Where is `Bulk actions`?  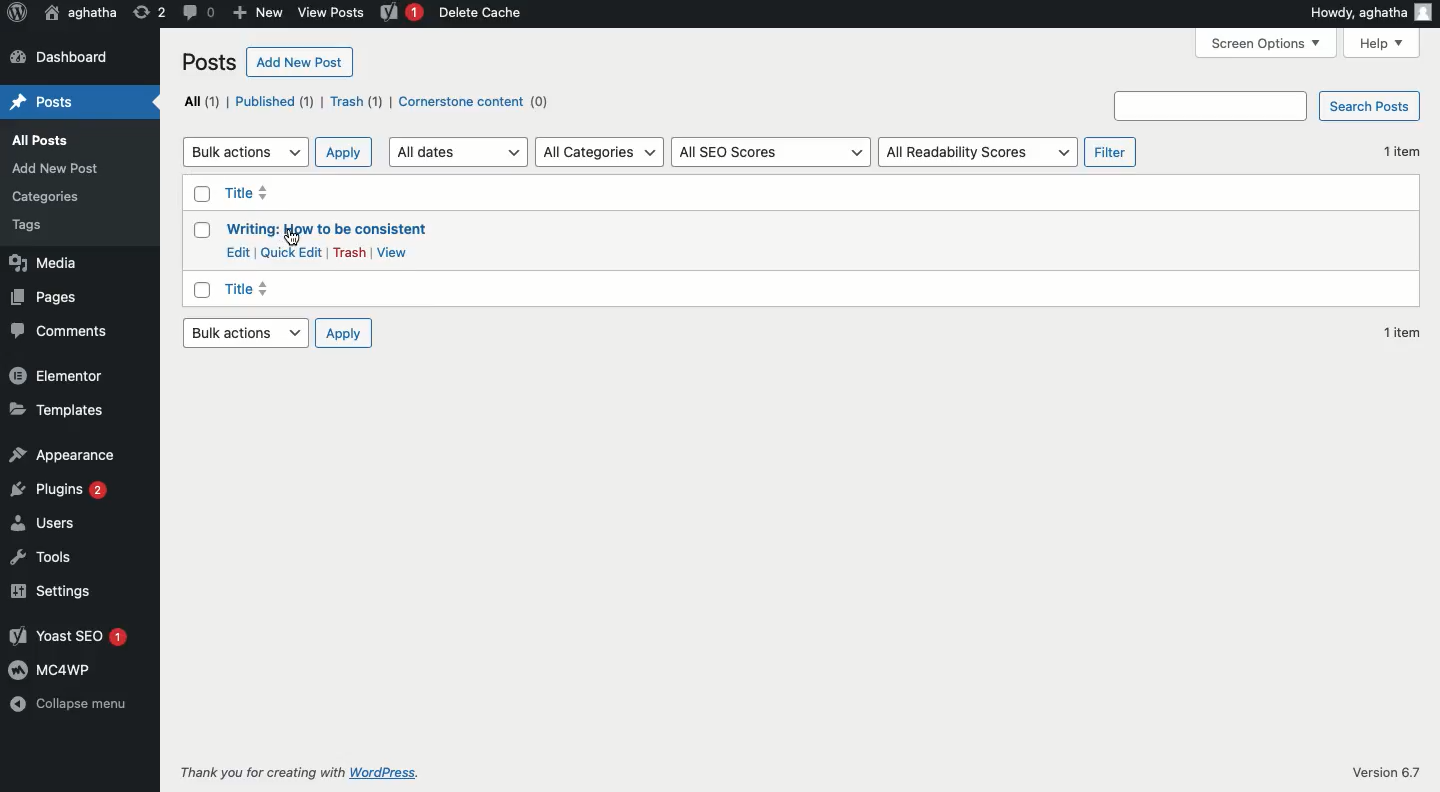
Bulk actions is located at coordinates (246, 152).